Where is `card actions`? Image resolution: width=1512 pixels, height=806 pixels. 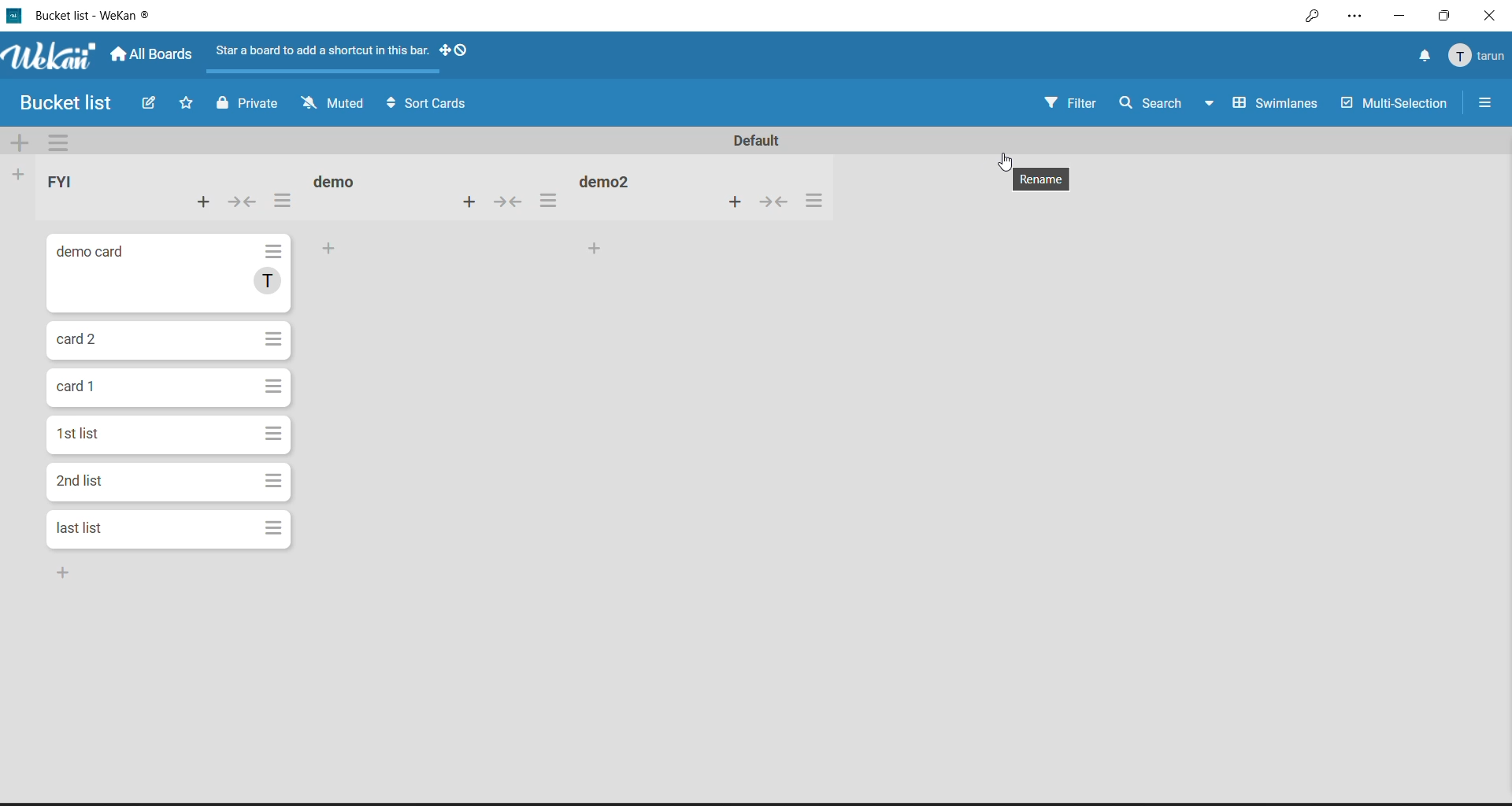
card actions is located at coordinates (274, 435).